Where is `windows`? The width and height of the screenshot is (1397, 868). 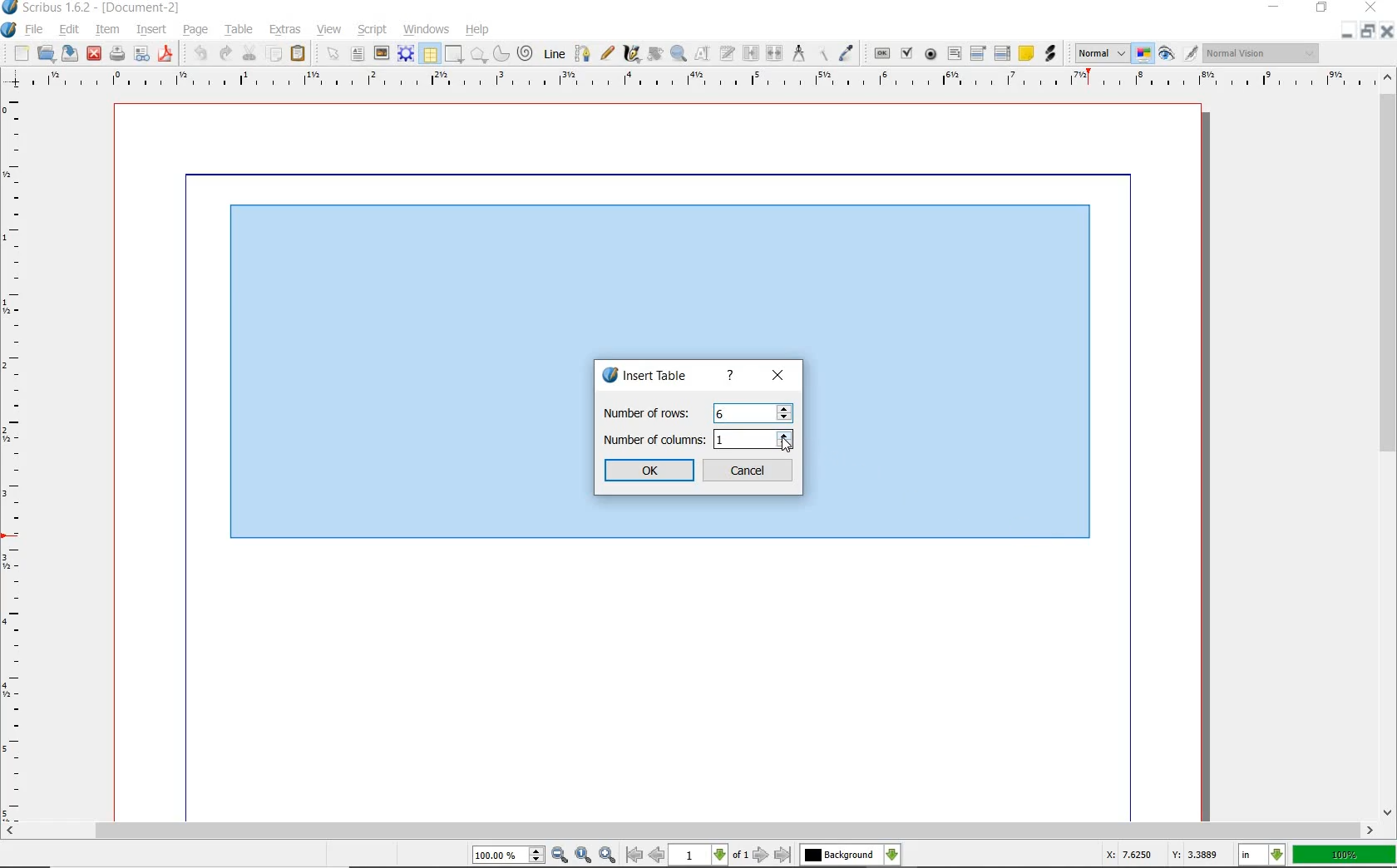
windows is located at coordinates (428, 31).